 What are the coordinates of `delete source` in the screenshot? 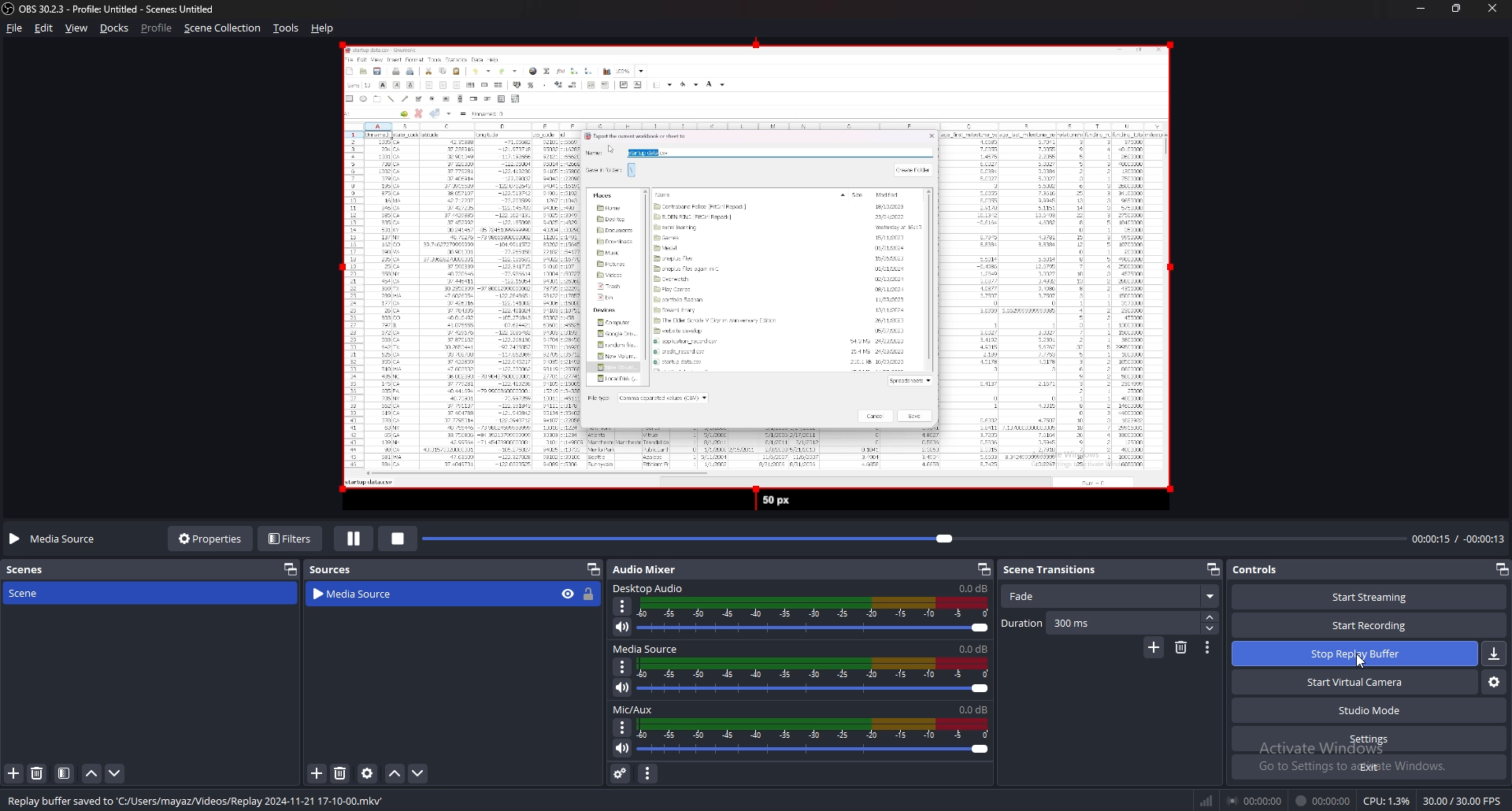 It's located at (341, 772).